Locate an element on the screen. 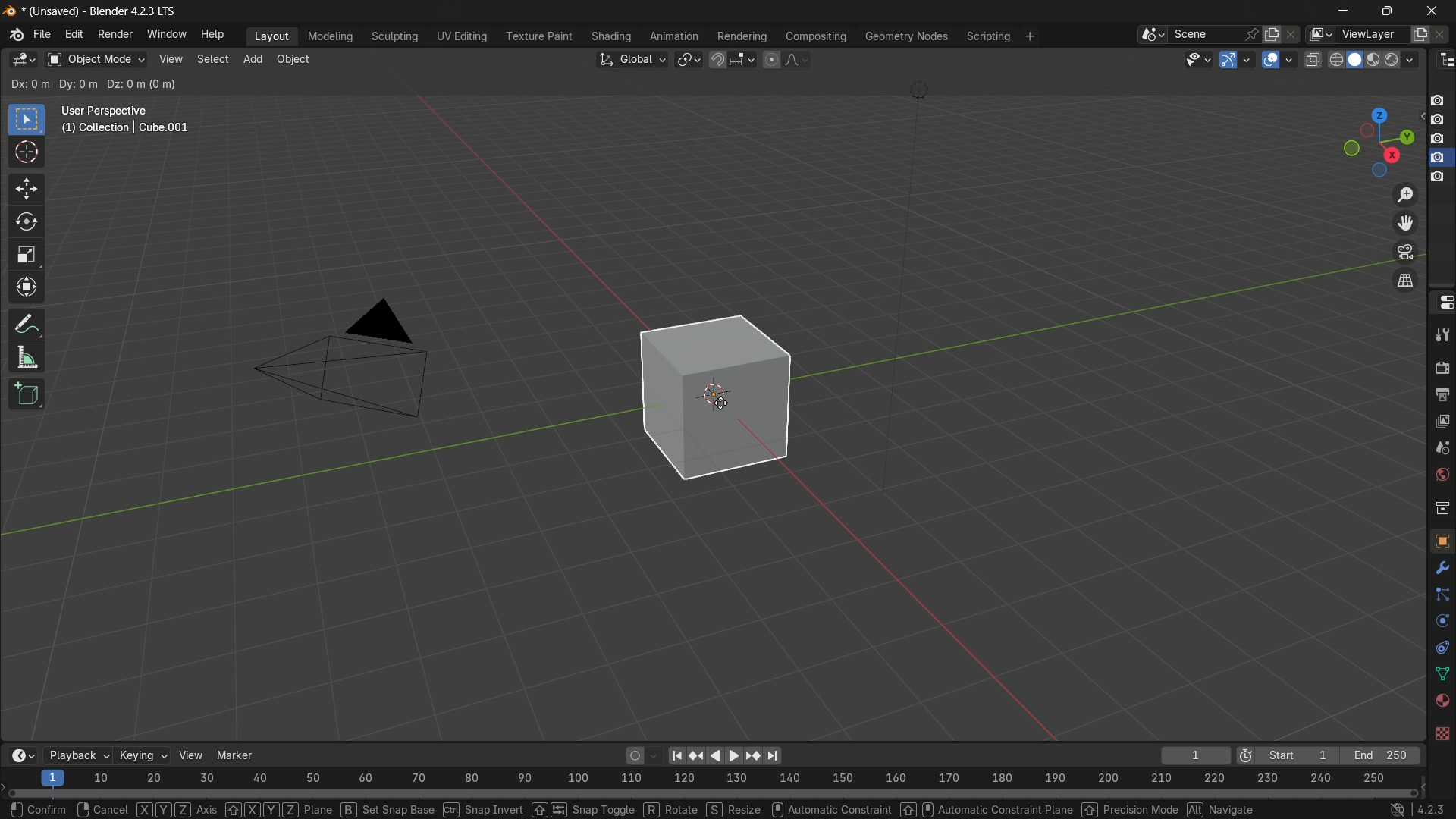  Snap Toggle is located at coordinates (585, 808).